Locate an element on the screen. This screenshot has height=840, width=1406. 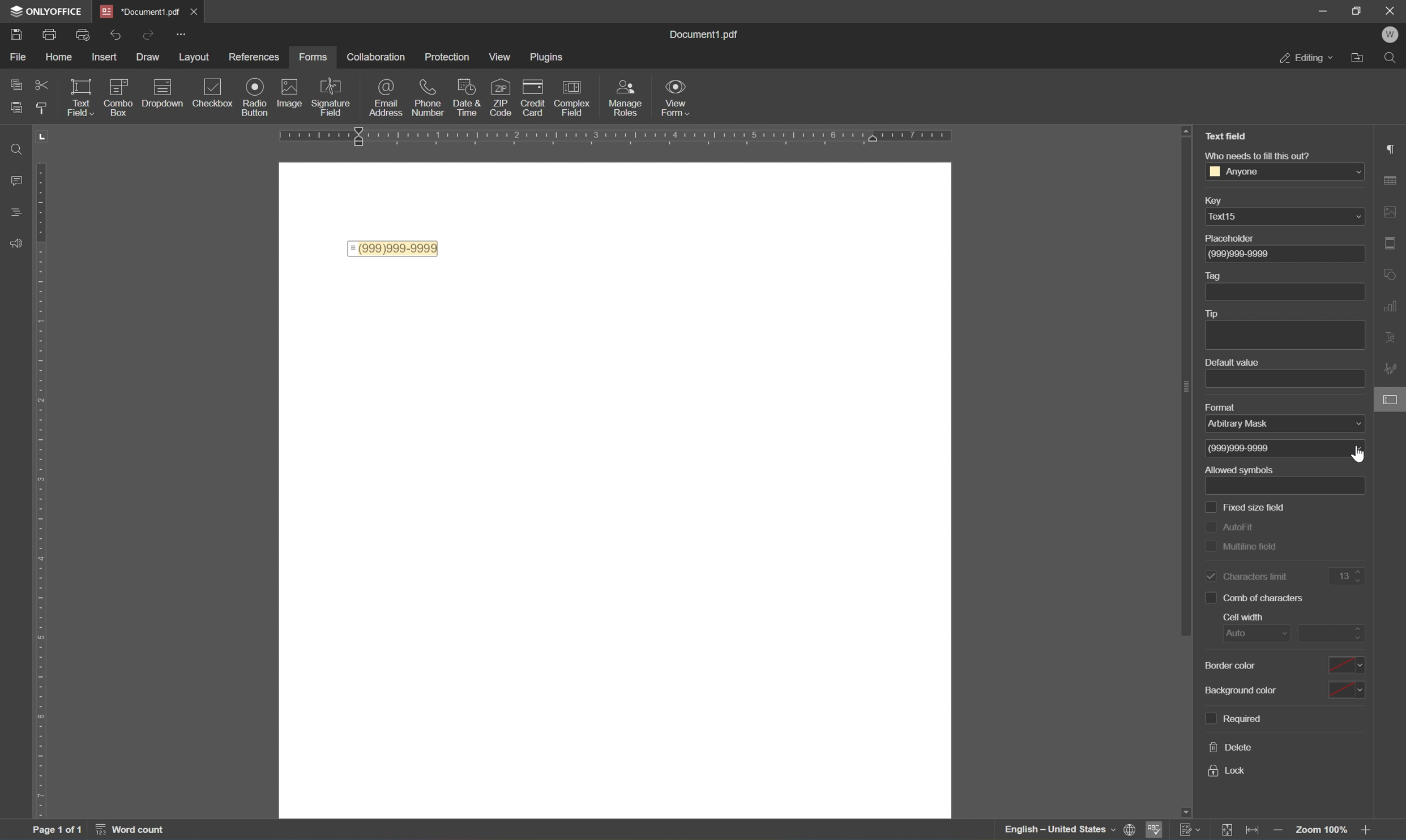
welcome is located at coordinates (1391, 33).